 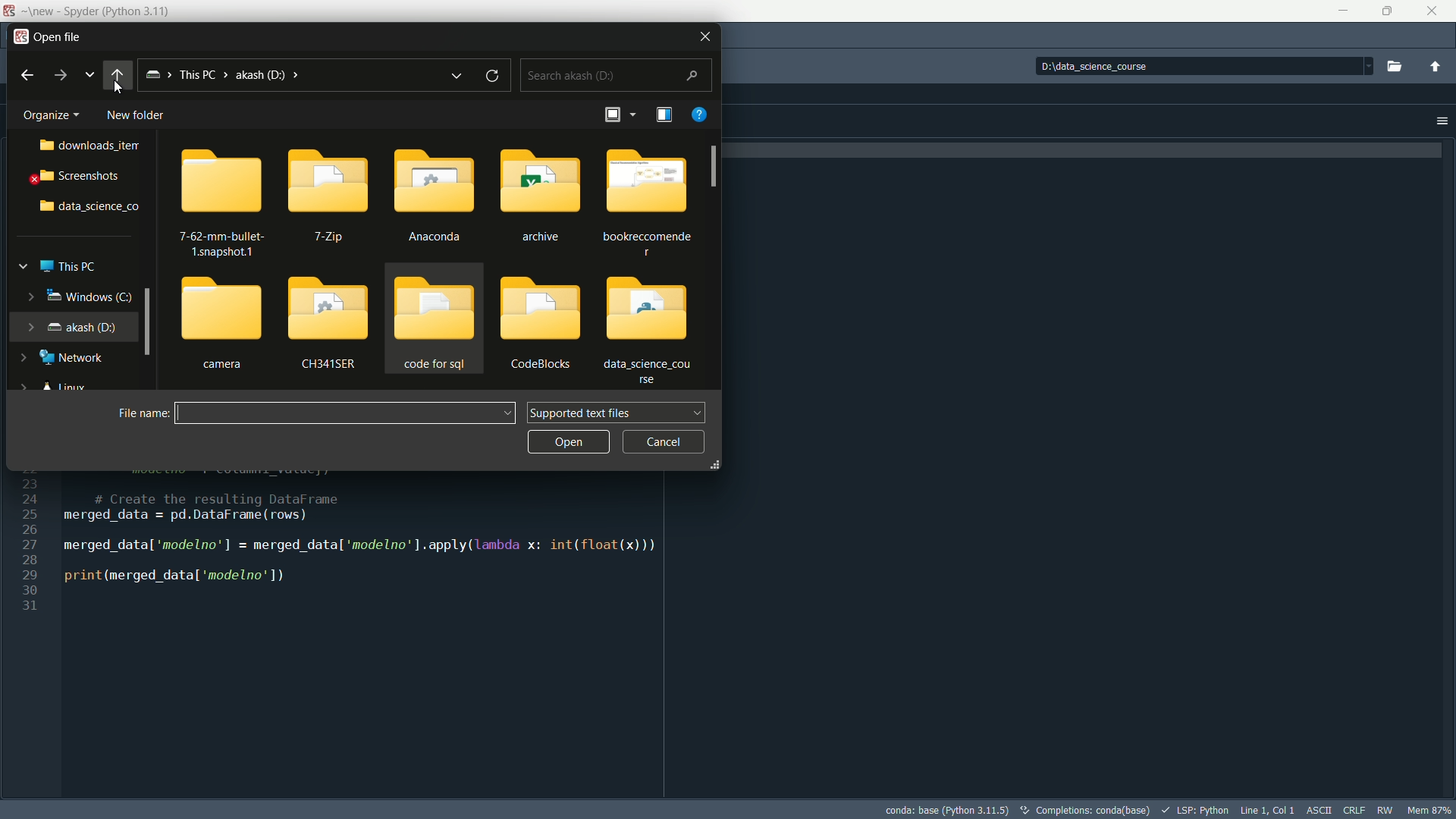 I want to click on refresh, so click(x=495, y=77).